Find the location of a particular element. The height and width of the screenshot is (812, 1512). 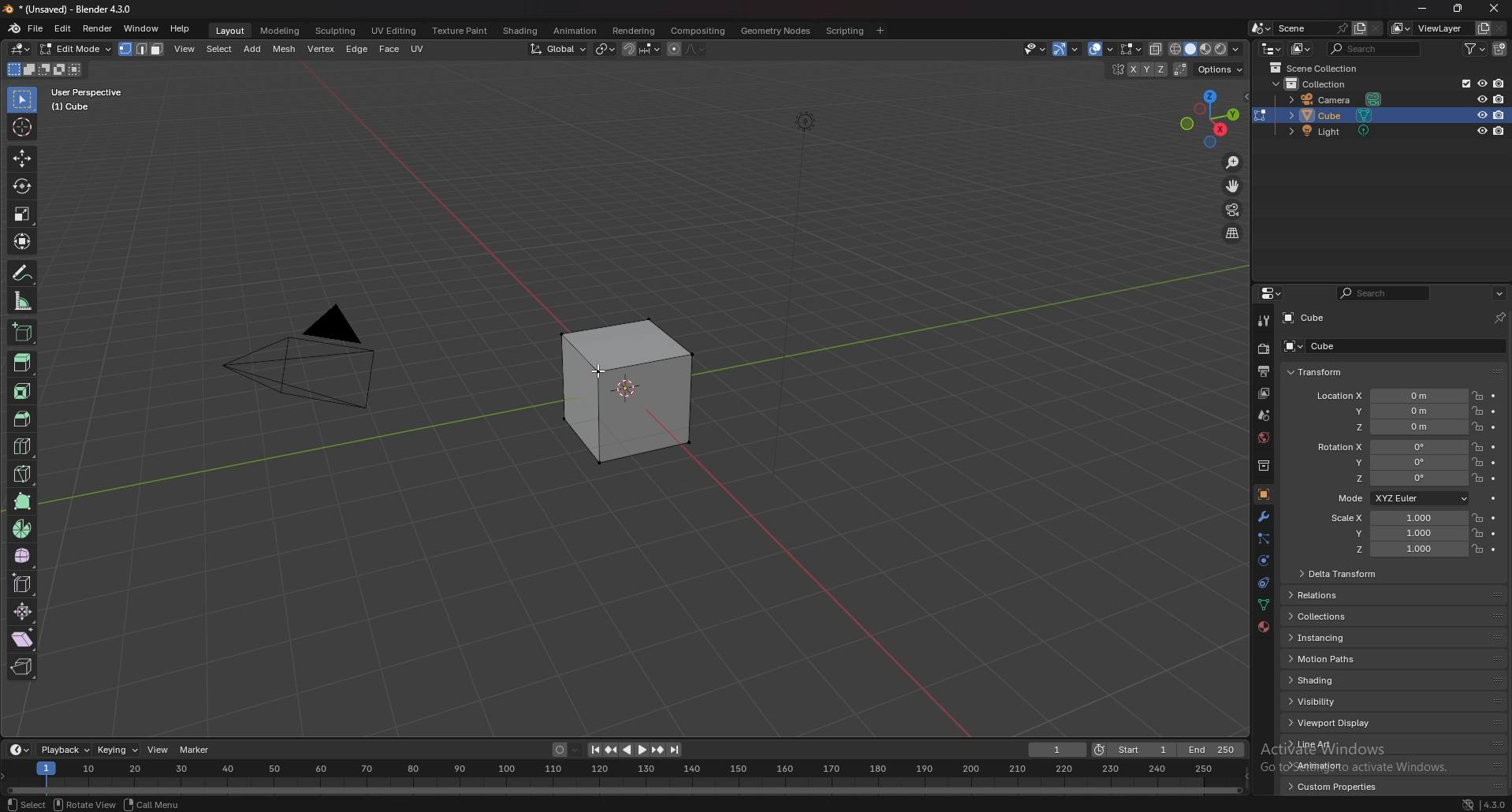

line art is located at coordinates (1341, 743).